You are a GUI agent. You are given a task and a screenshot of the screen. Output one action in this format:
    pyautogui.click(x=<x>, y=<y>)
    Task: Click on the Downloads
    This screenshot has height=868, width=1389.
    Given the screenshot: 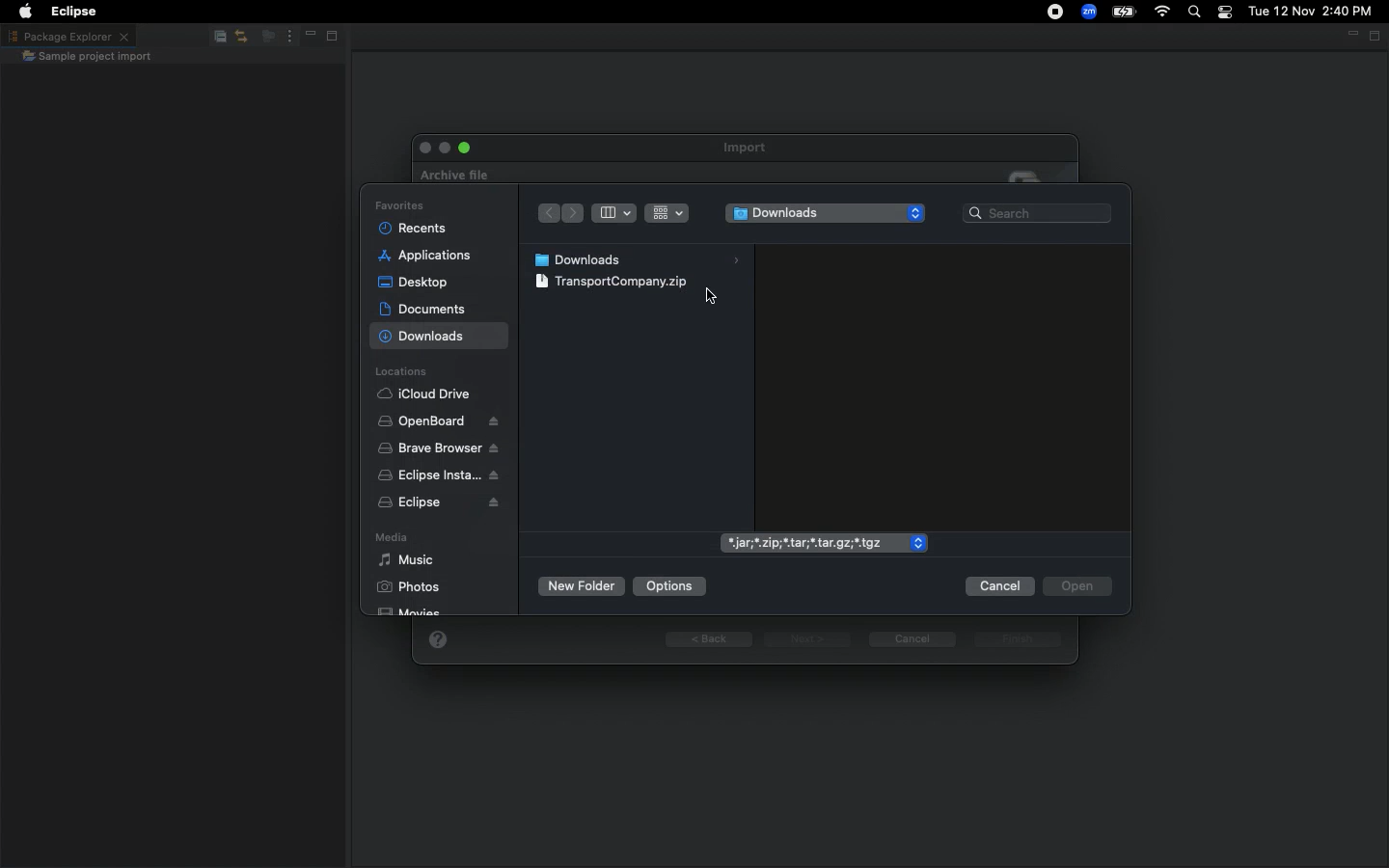 What is the action you would take?
    pyautogui.click(x=431, y=339)
    